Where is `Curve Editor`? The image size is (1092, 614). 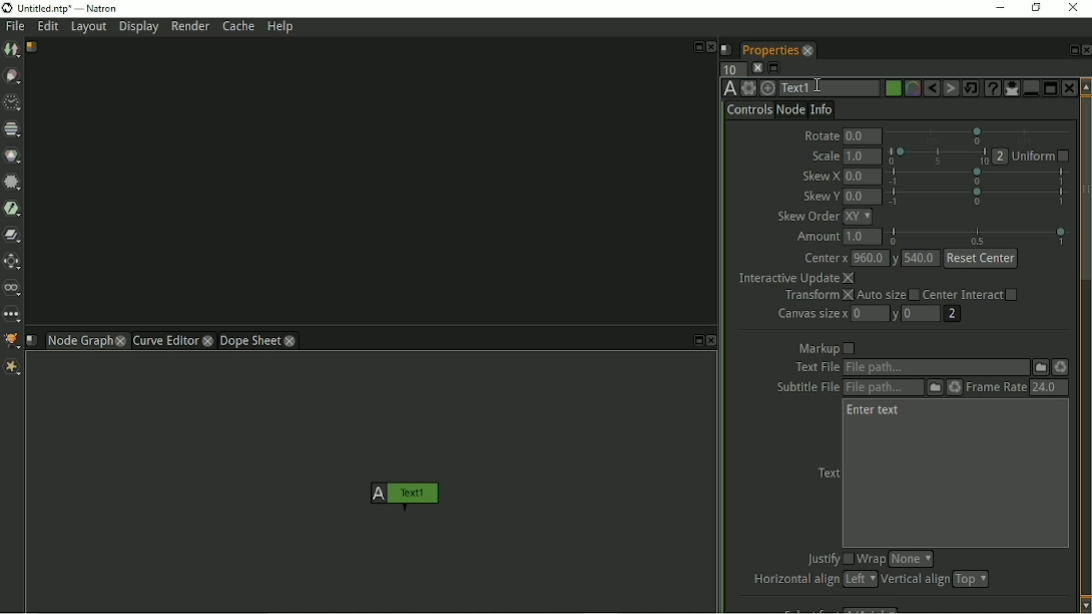
Curve Editor is located at coordinates (164, 340).